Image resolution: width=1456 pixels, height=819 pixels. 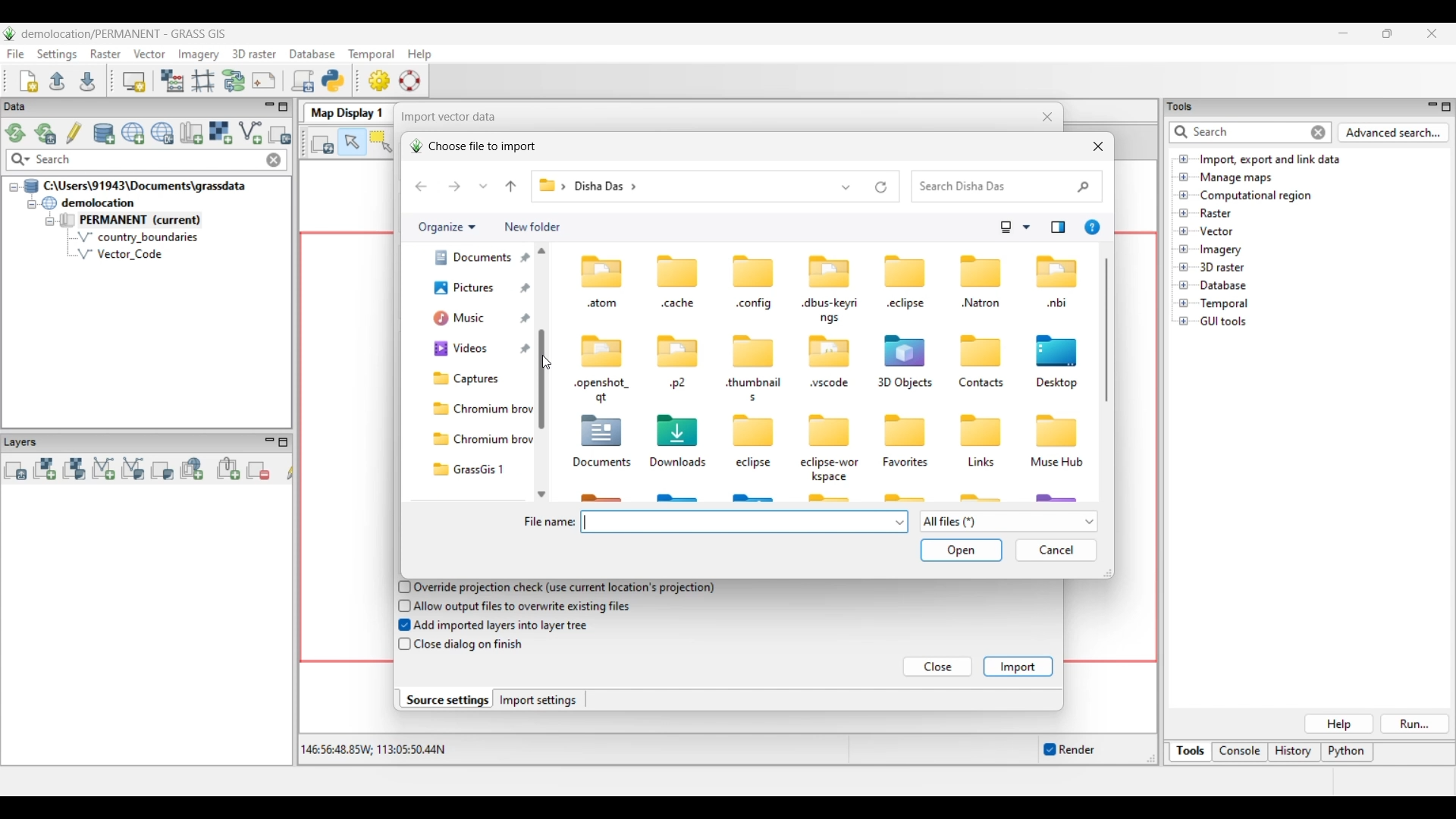 I want to click on Double click to collapse demolocation, so click(x=88, y=202).